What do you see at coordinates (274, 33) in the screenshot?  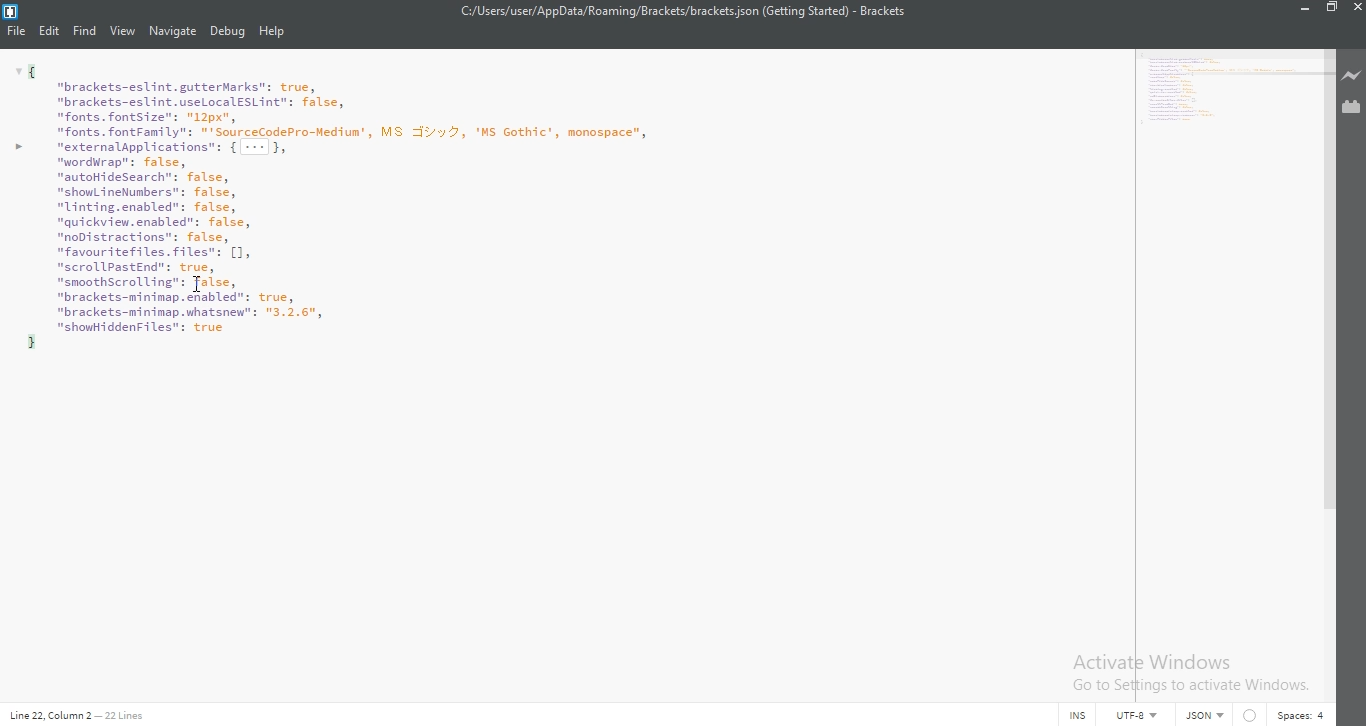 I see `Help` at bounding box center [274, 33].